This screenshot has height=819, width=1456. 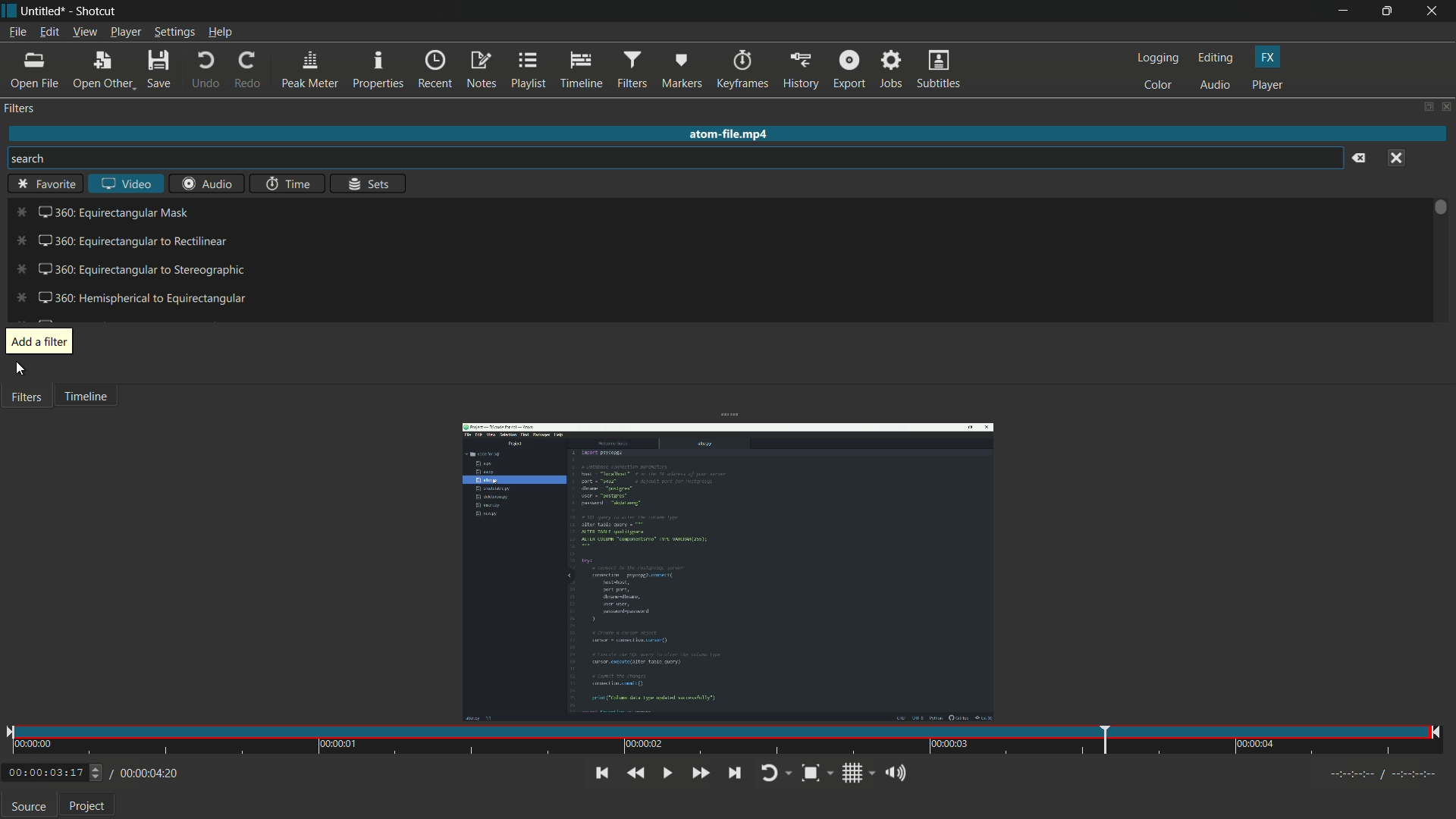 What do you see at coordinates (1216, 86) in the screenshot?
I see `audio` at bounding box center [1216, 86].